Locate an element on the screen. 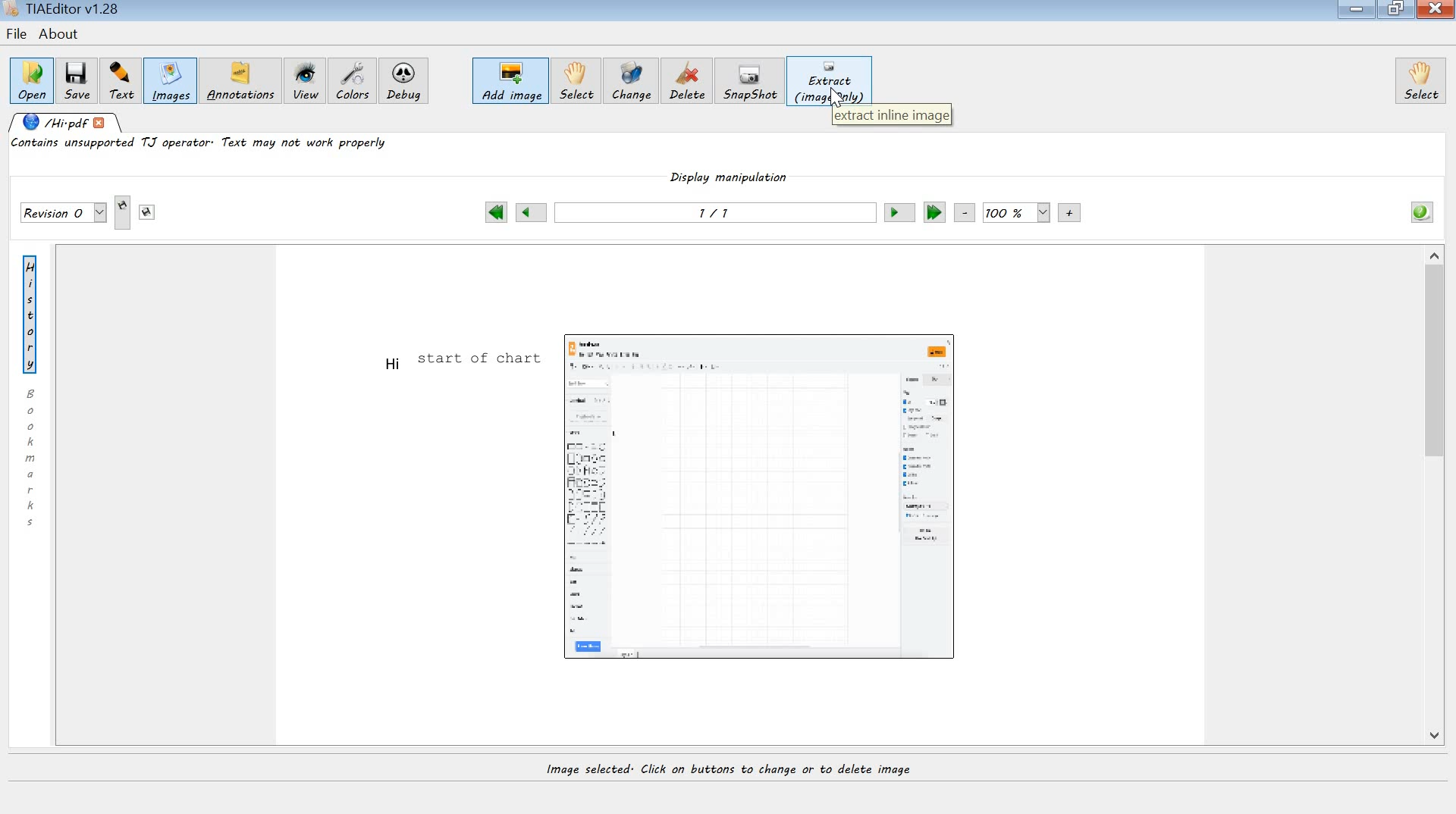 This screenshot has height=814, width=1456. zoom out or zoom in is located at coordinates (1018, 213).